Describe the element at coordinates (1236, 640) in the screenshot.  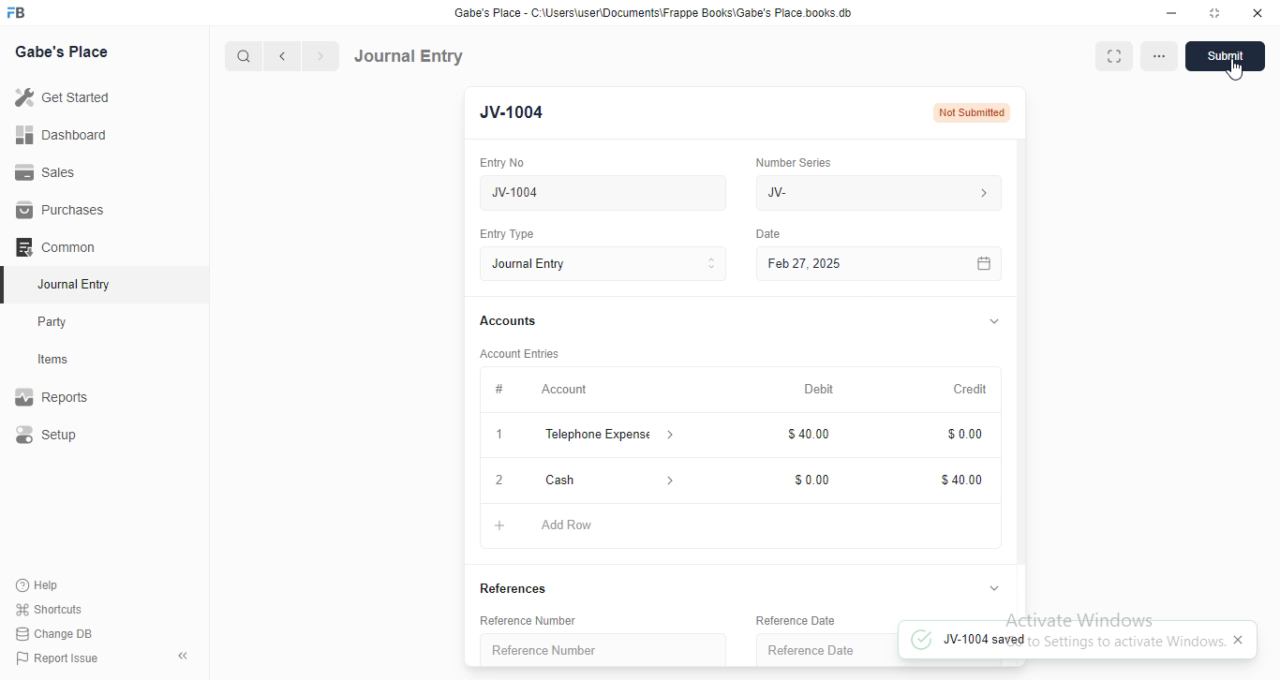
I see `Close` at that location.